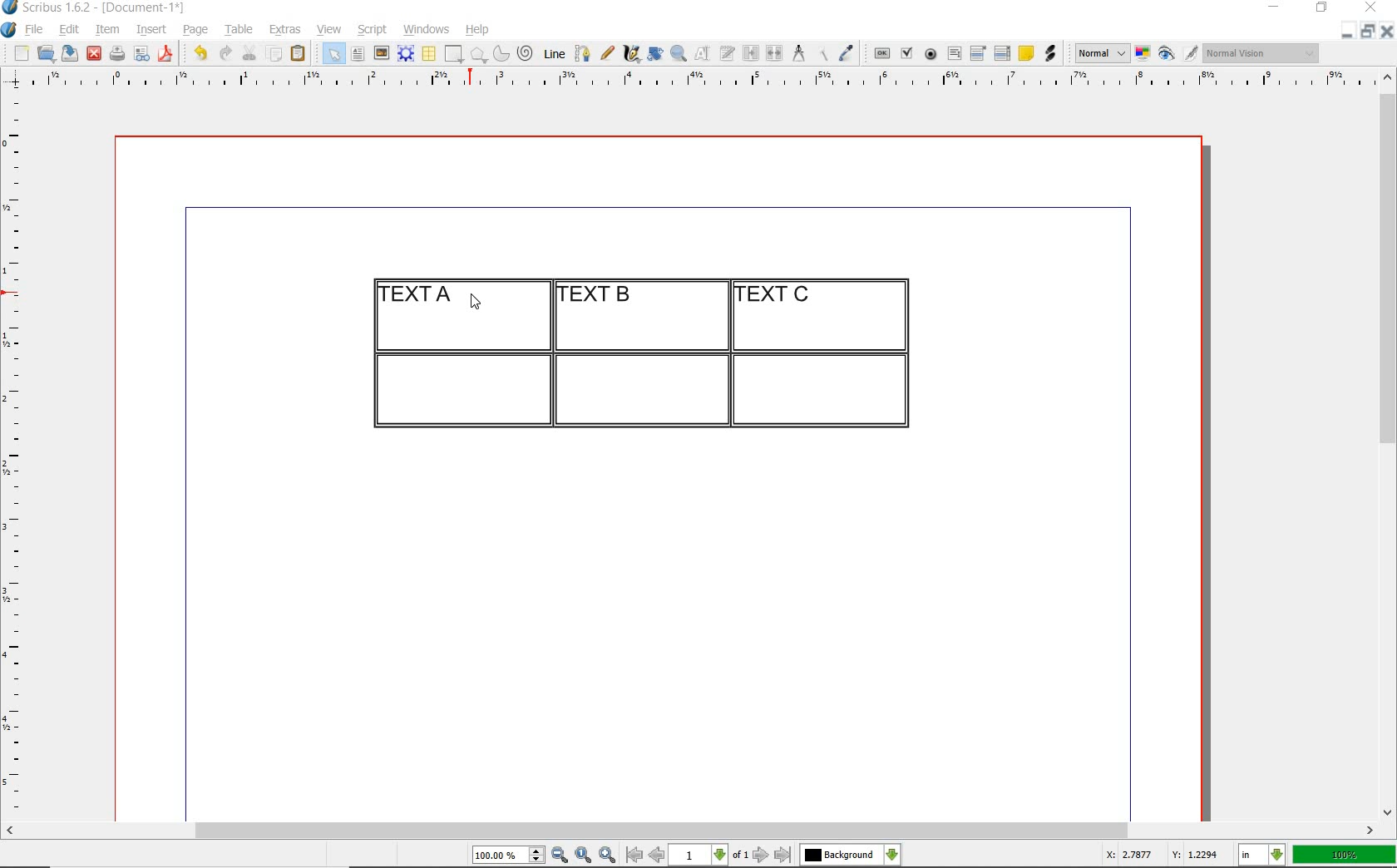 This screenshot has height=868, width=1397. I want to click on edit, so click(70, 29).